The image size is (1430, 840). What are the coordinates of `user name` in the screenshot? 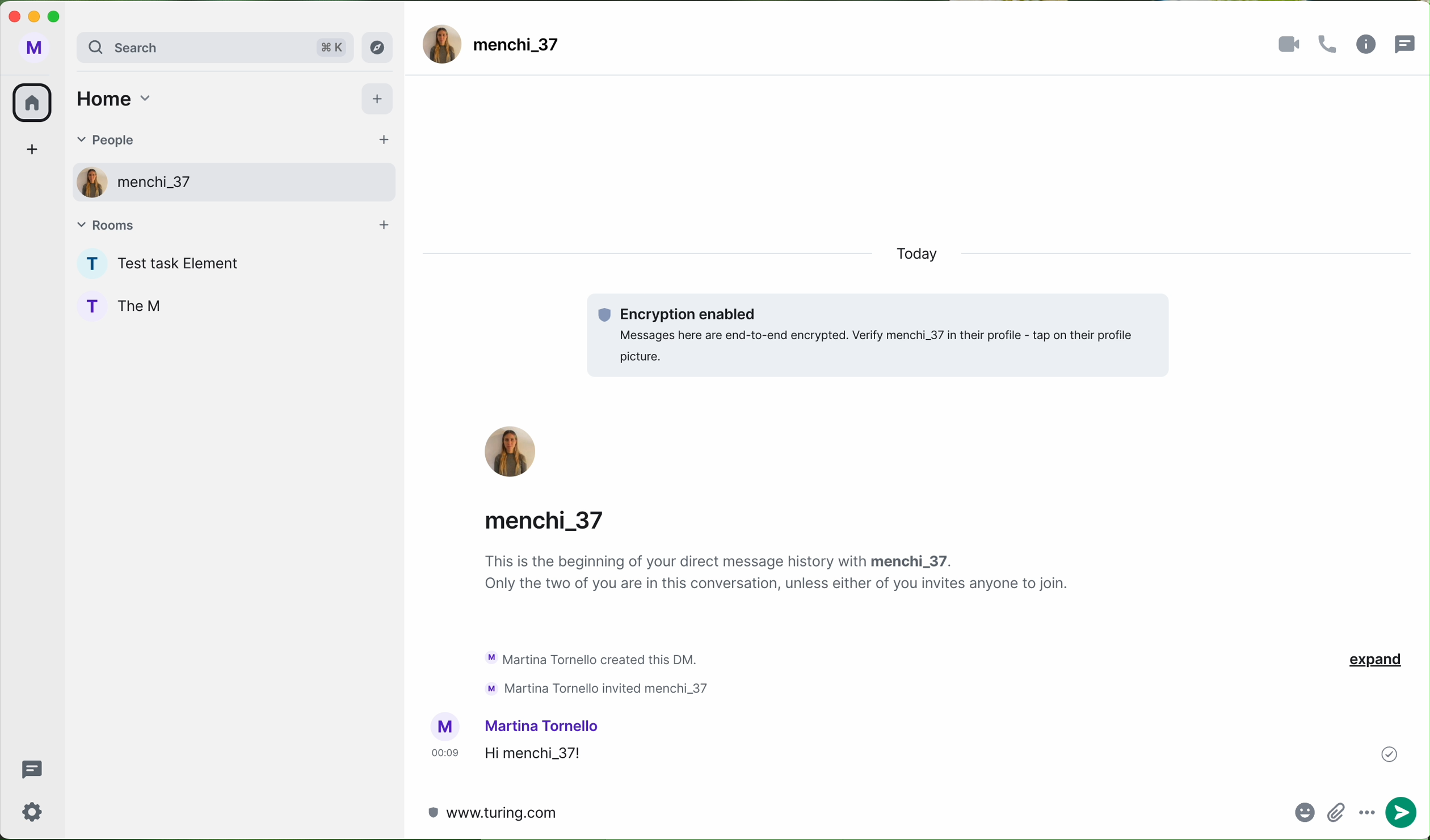 It's located at (518, 47).